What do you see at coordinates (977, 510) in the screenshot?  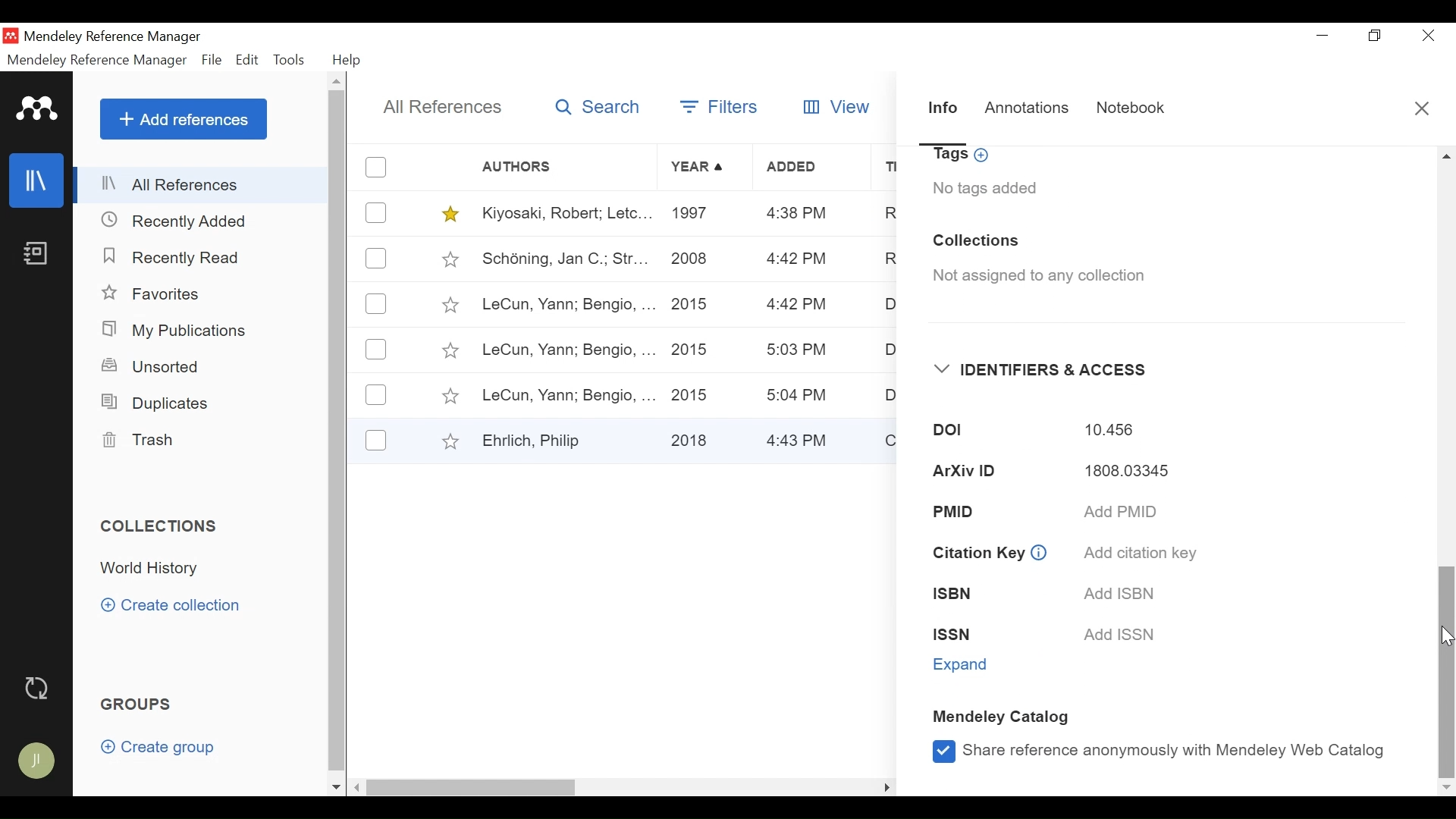 I see `PMID` at bounding box center [977, 510].